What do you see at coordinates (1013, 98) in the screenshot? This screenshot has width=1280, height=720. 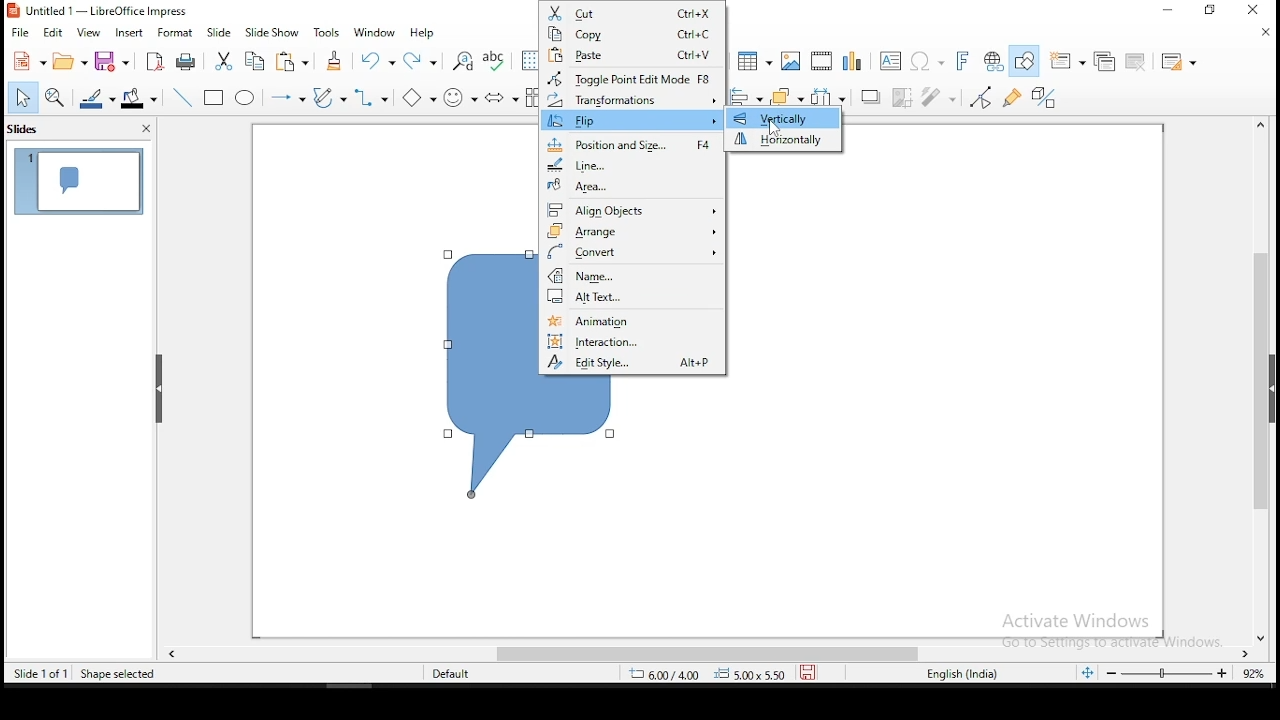 I see `show gluepoint functions` at bounding box center [1013, 98].